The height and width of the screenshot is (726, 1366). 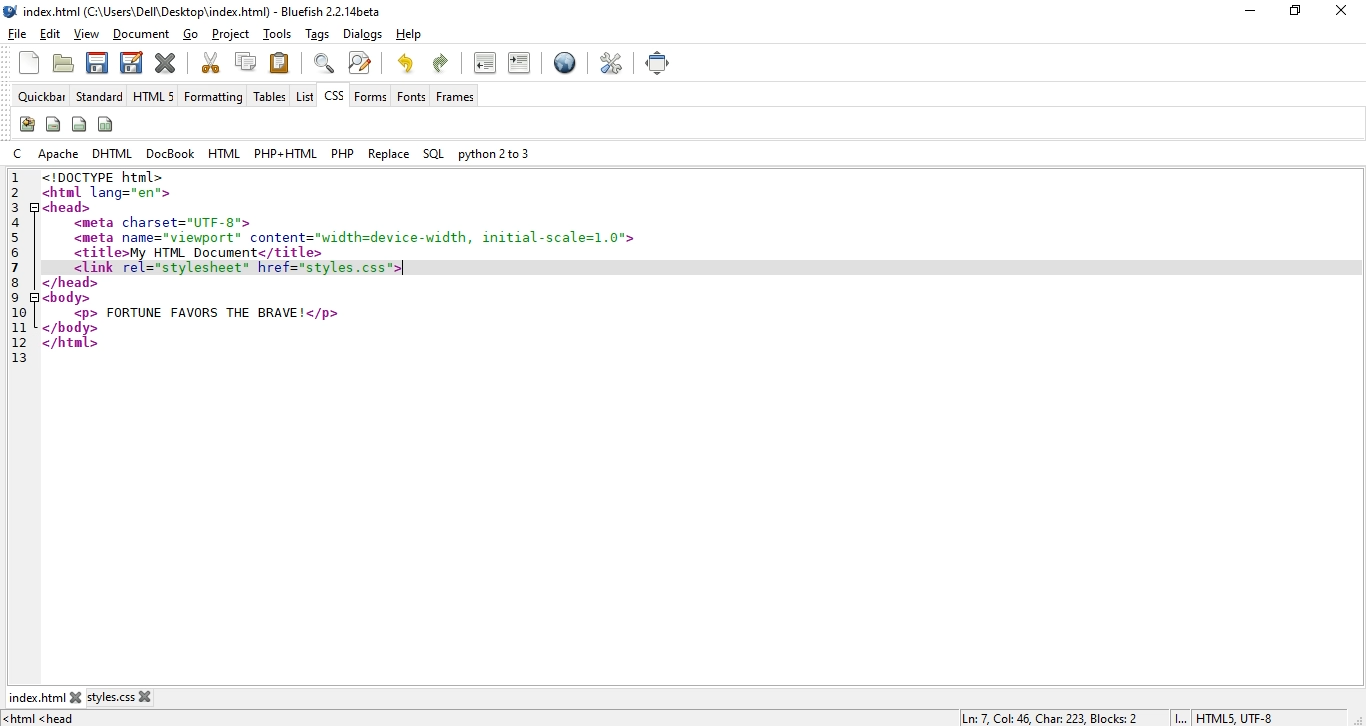 What do you see at coordinates (12, 12) in the screenshot?
I see `bluefish logo` at bounding box center [12, 12].